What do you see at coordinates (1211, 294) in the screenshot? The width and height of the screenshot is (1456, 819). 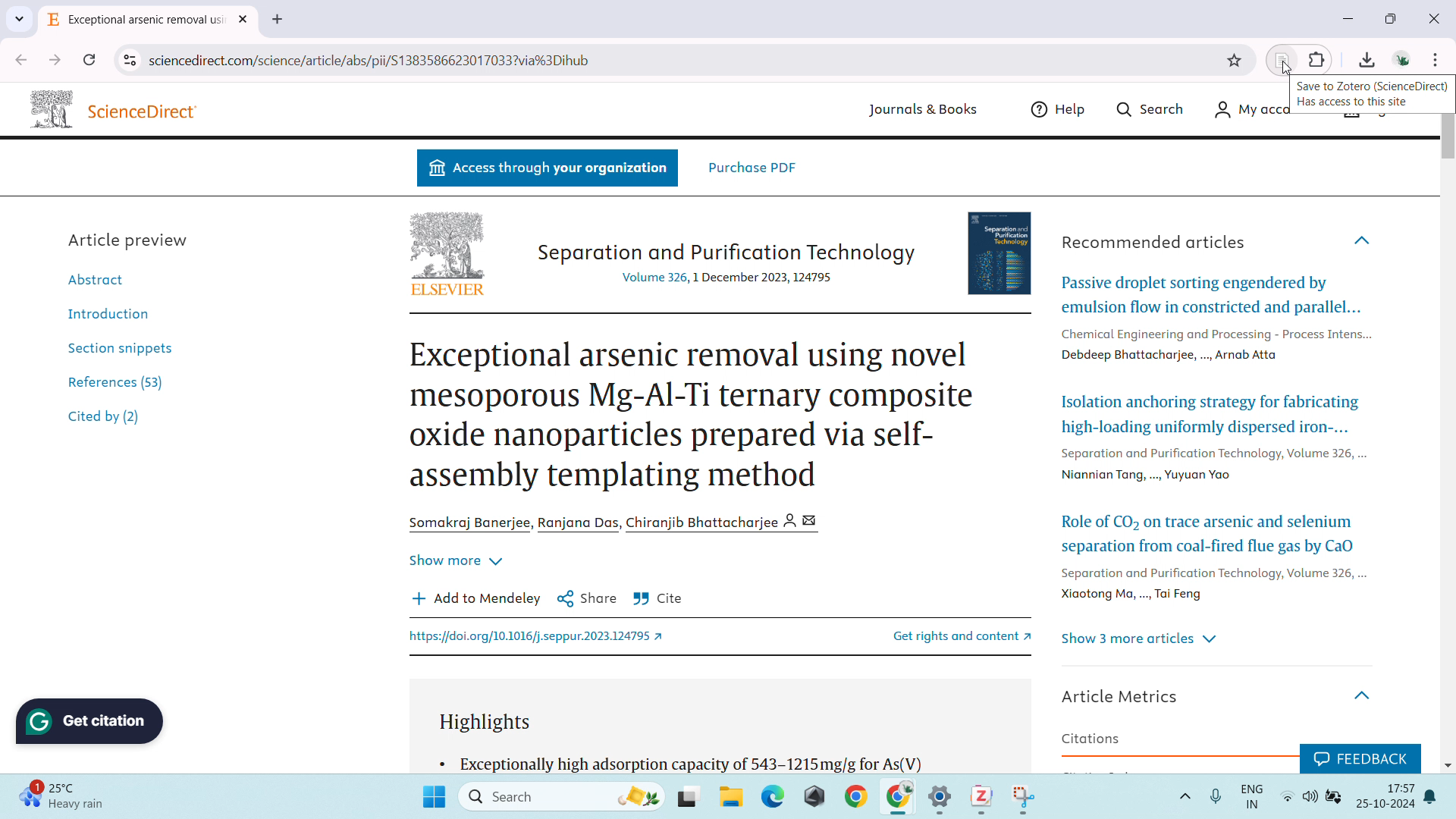 I see `Passive droplet sorting engendered by emulsion flow in constricted and parallel...` at bounding box center [1211, 294].